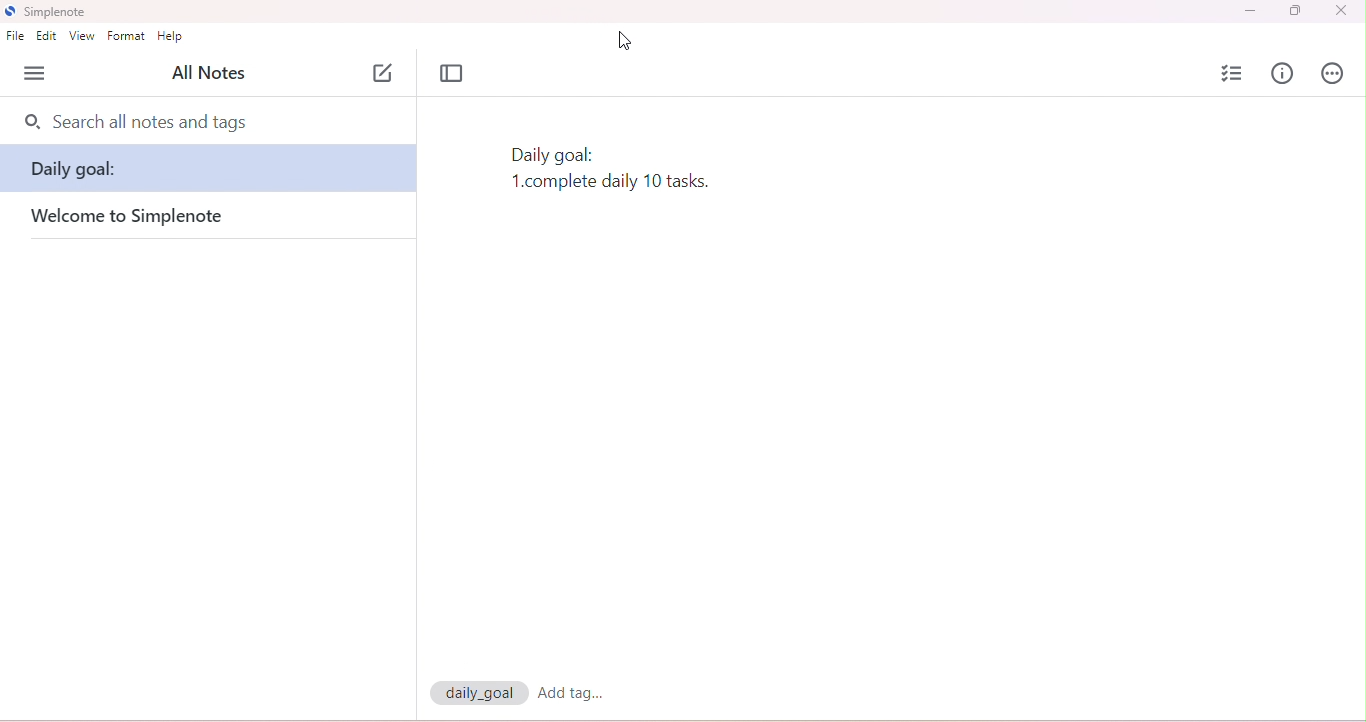 The height and width of the screenshot is (722, 1366). I want to click on insert checklist, so click(1234, 74).